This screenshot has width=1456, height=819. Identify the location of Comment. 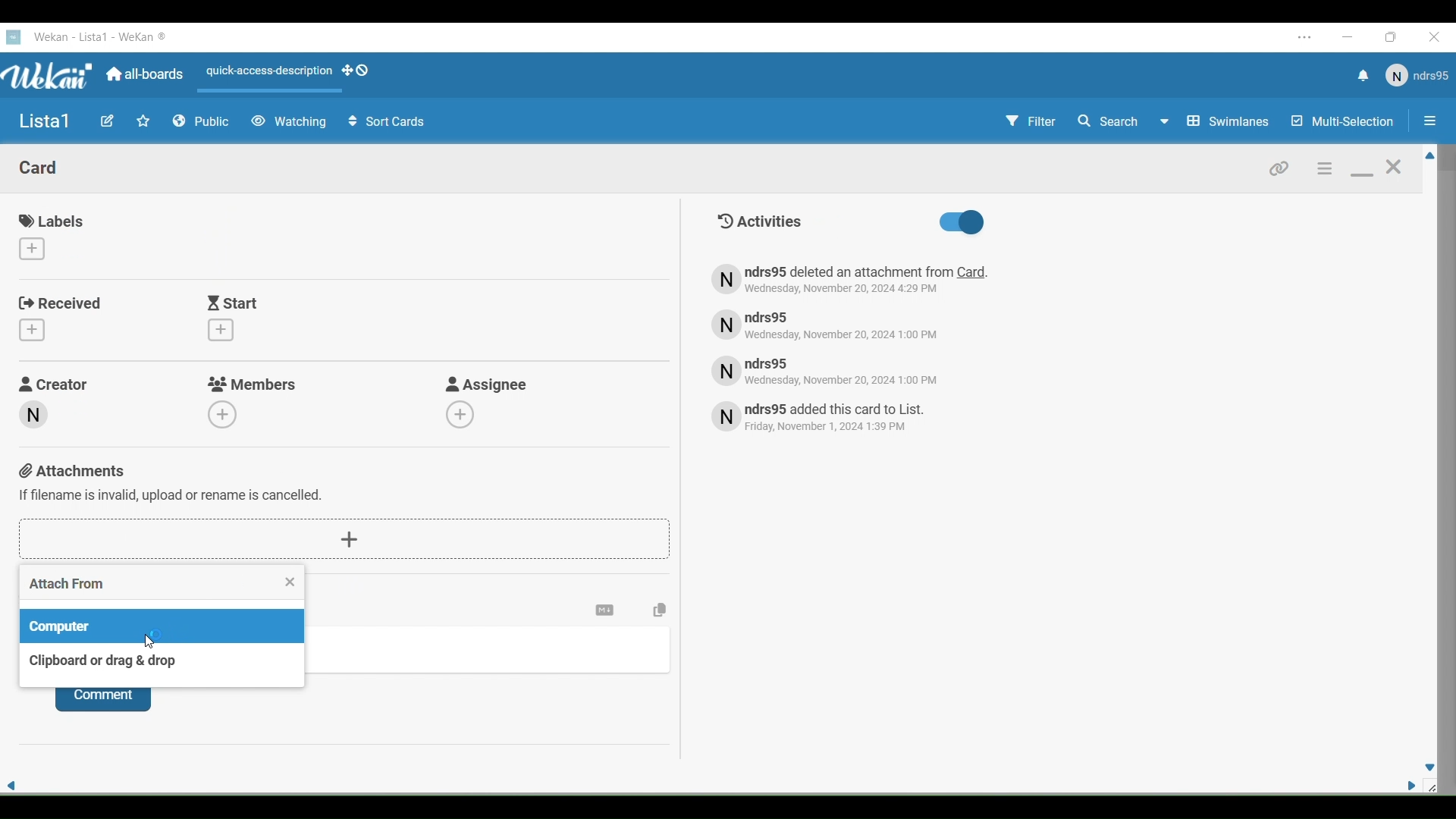
(102, 701).